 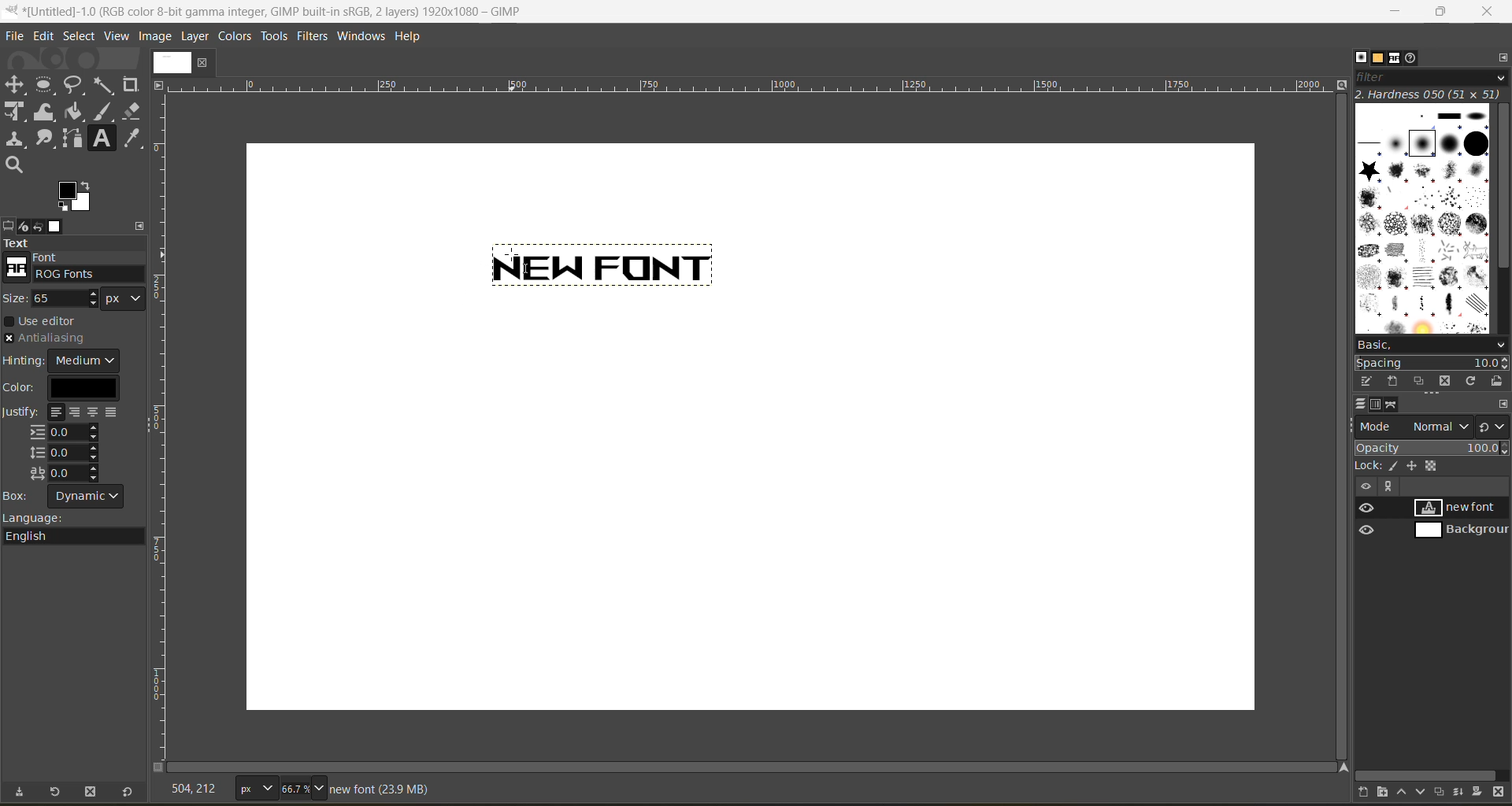 What do you see at coordinates (1420, 791) in the screenshot?
I see `lower this layer` at bounding box center [1420, 791].